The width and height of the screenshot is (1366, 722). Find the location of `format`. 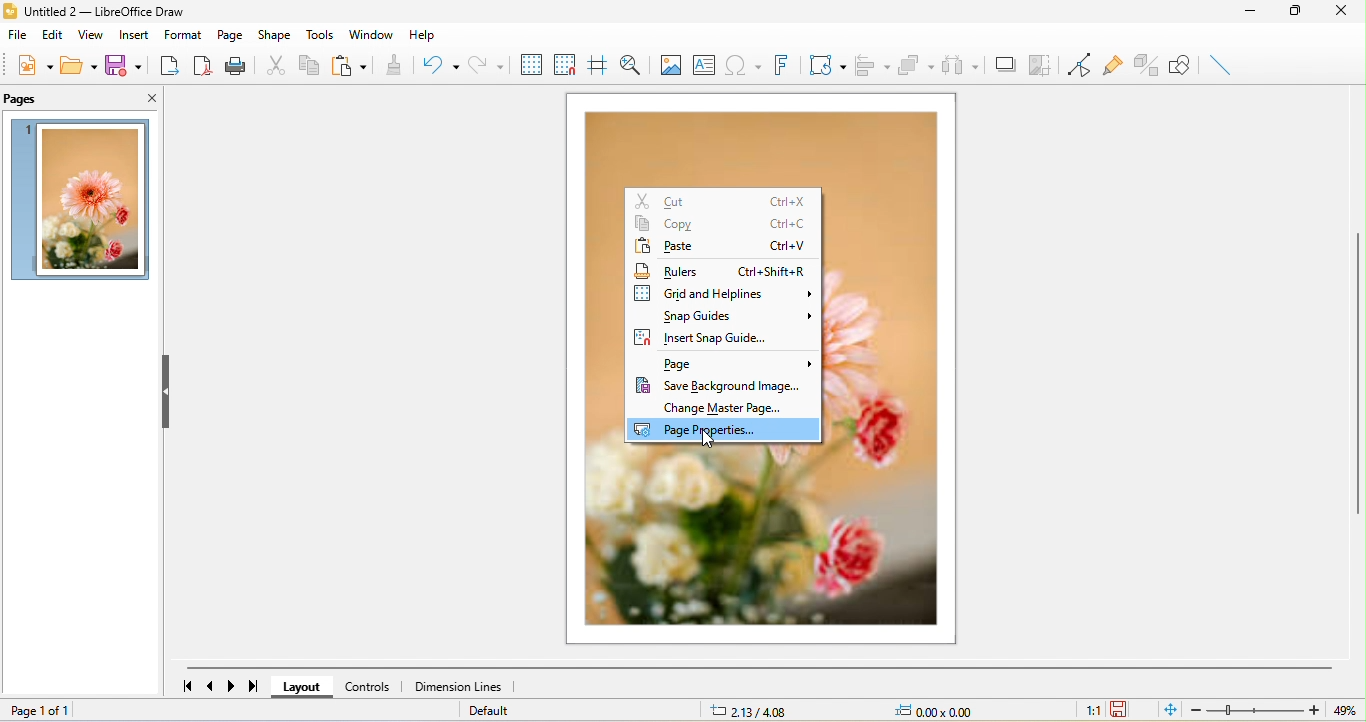

format is located at coordinates (184, 34).